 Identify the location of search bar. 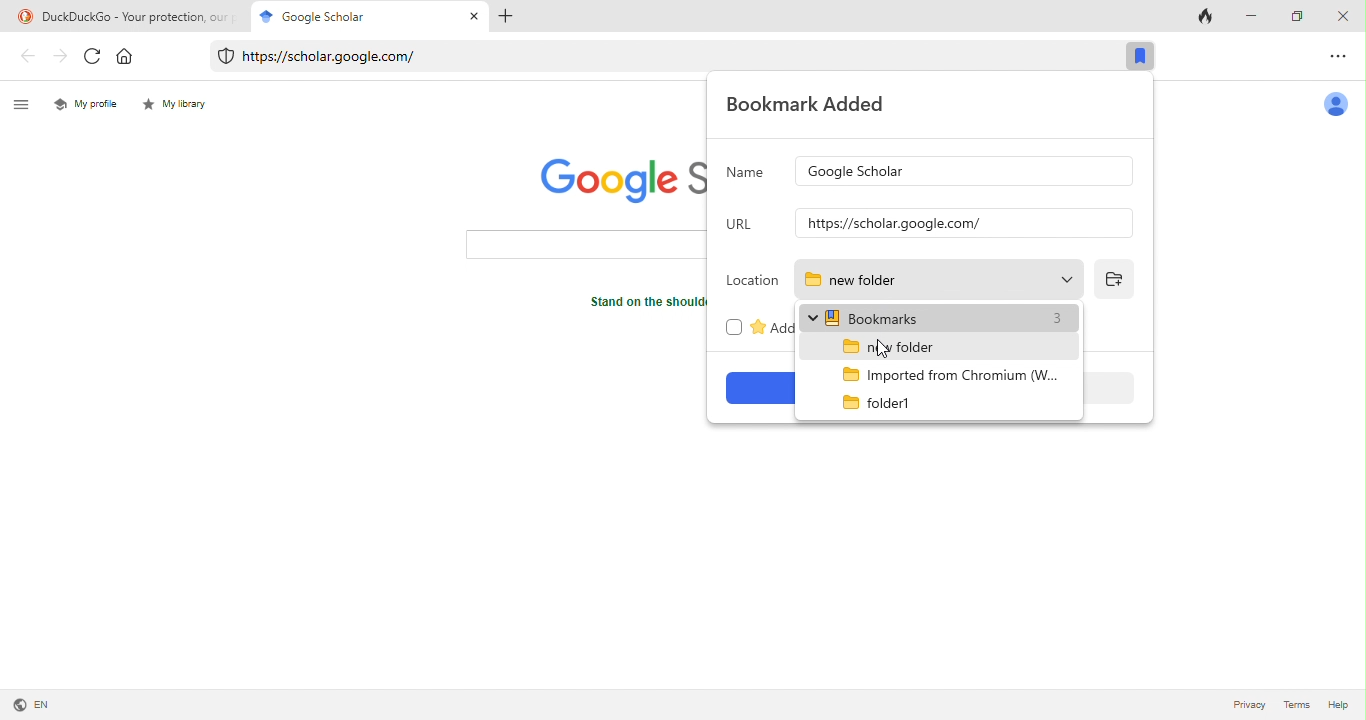
(586, 246).